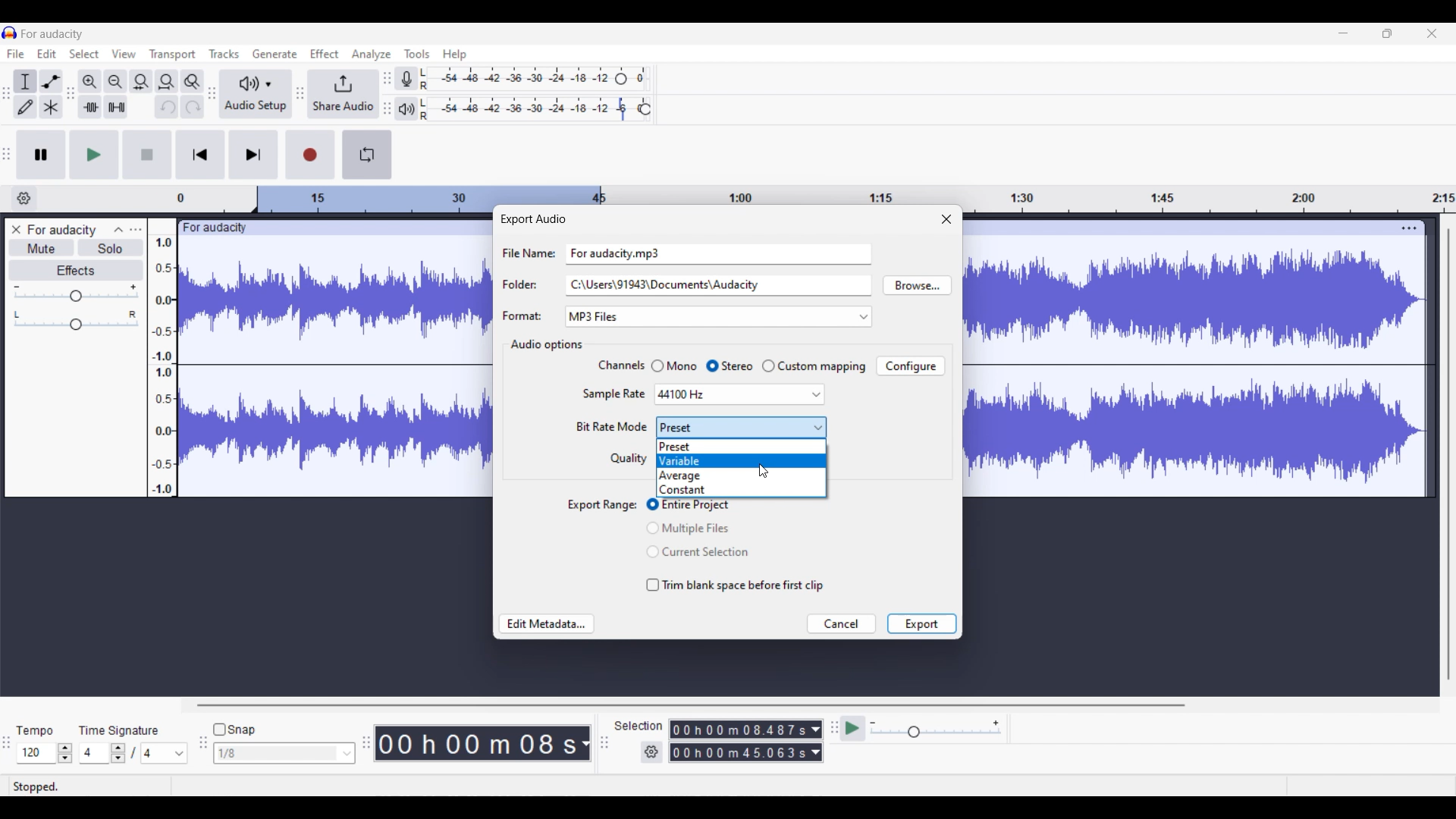 The width and height of the screenshot is (1456, 819). What do you see at coordinates (740, 460) in the screenshot?
I see `Variable, current selection highlighted by cursor` at bounding box center [740, 460].